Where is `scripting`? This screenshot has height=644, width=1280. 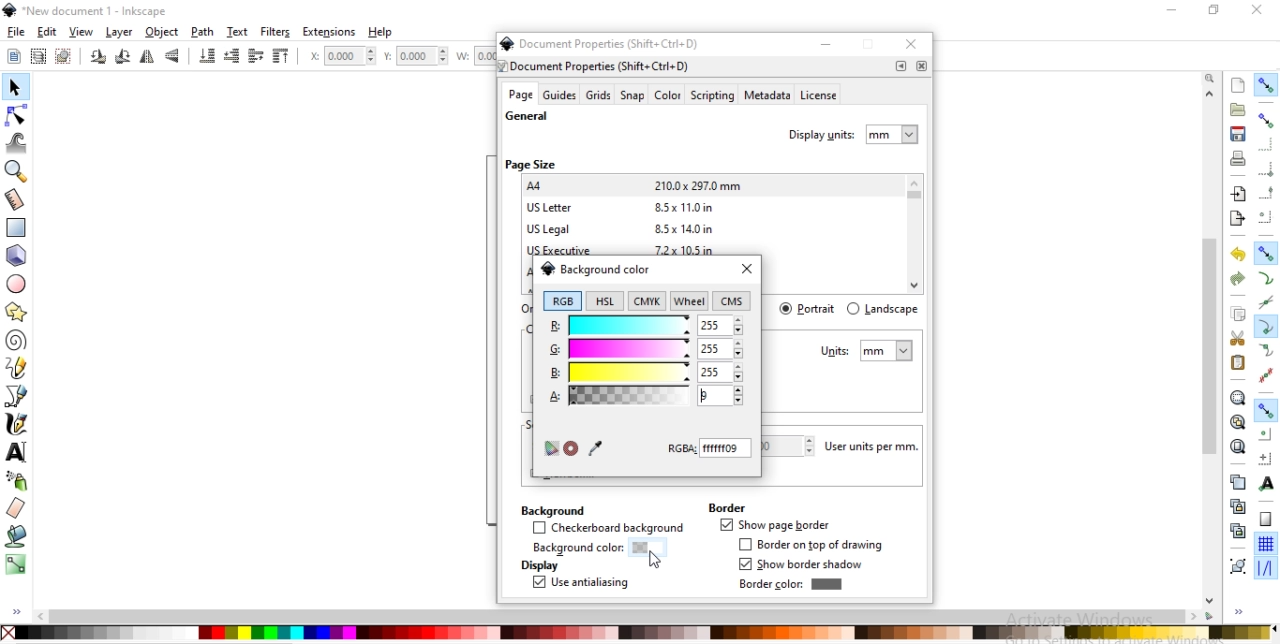
scripting is located at coordinates (711, 96).